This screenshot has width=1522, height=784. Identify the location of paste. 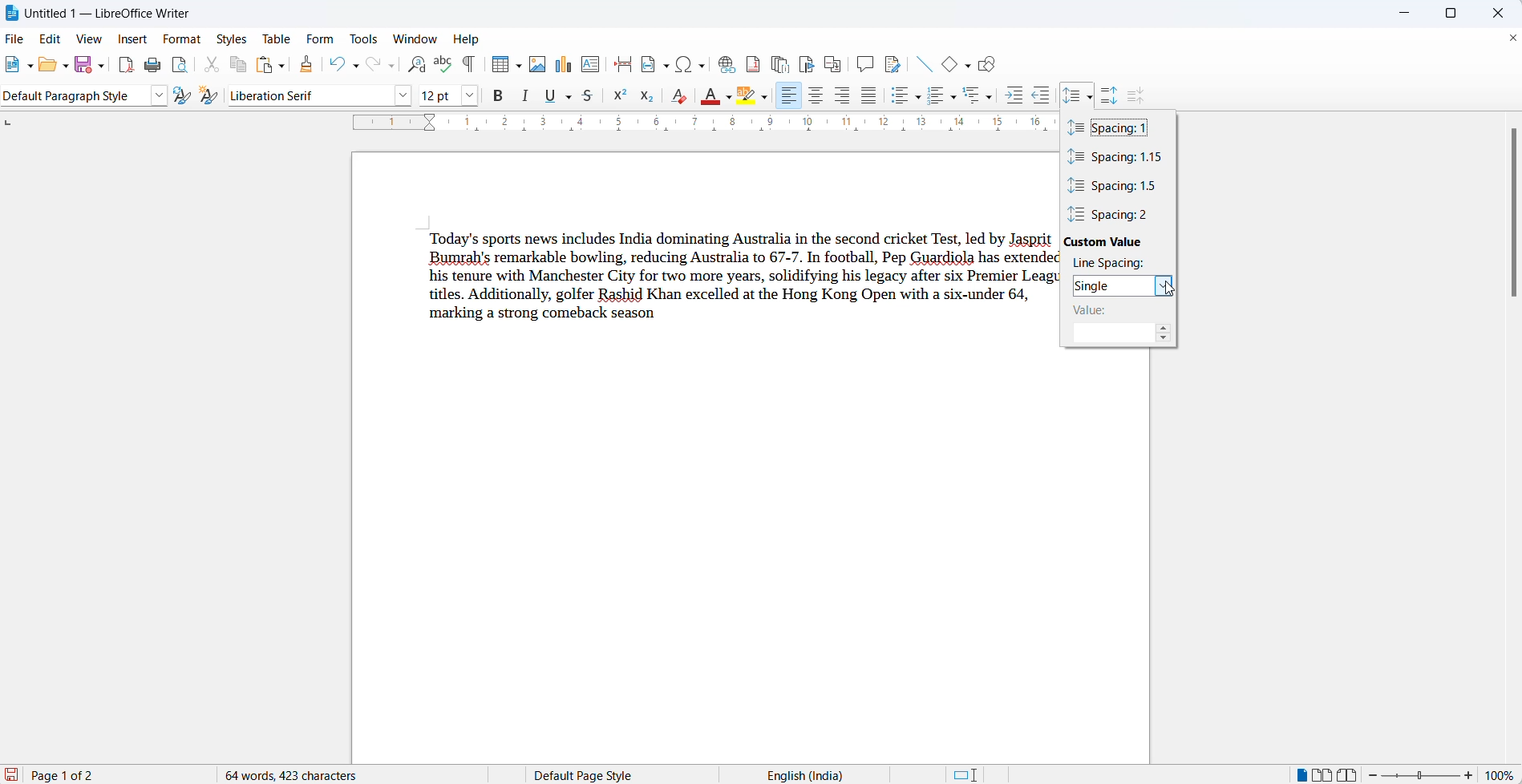
(265, 65).